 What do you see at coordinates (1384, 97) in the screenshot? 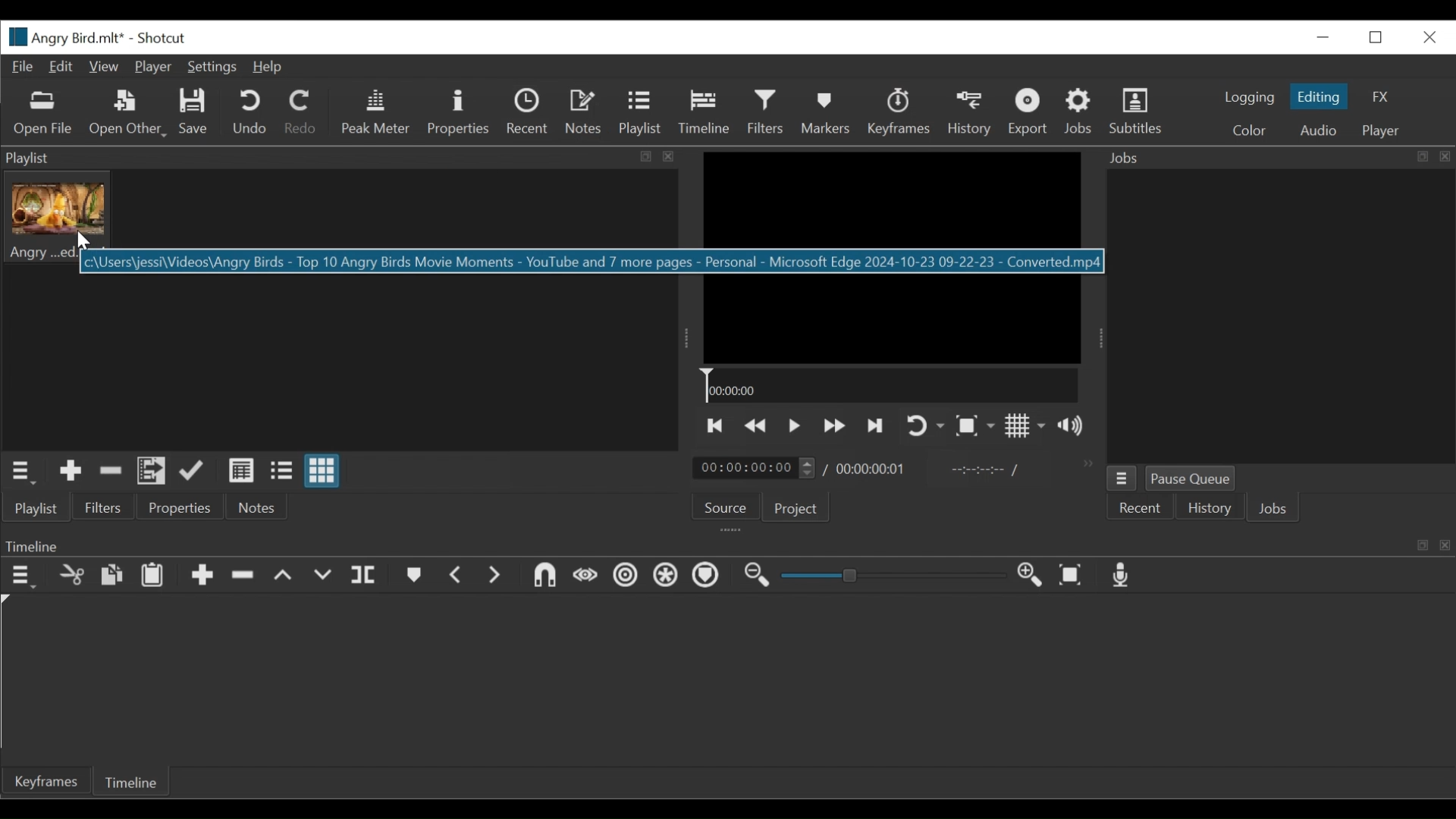
I see `FX` at bounding box center [1384, 97].